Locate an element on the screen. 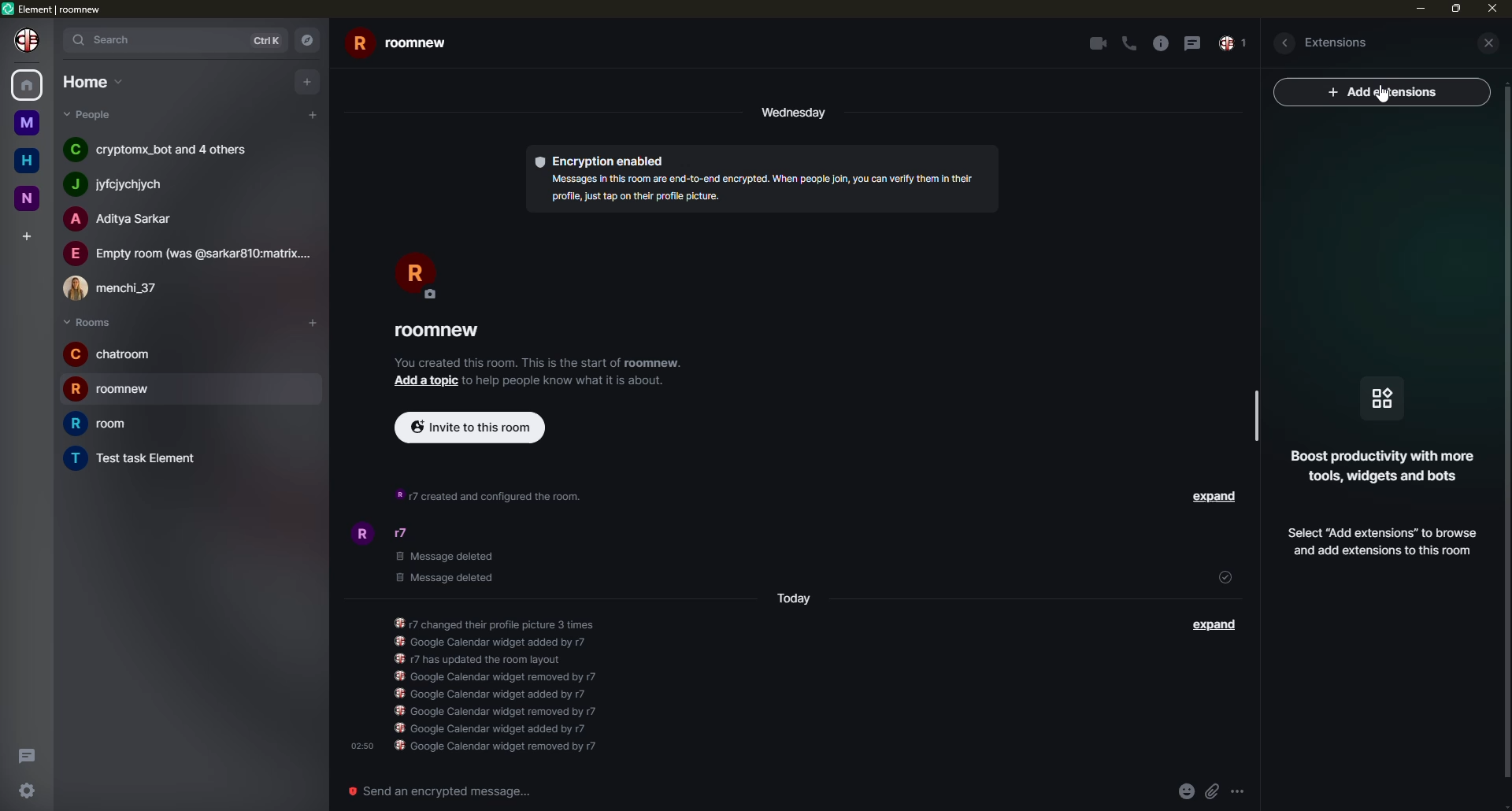 This screenshot has height=811, width=1512. day is located at coordinates (806, 602).